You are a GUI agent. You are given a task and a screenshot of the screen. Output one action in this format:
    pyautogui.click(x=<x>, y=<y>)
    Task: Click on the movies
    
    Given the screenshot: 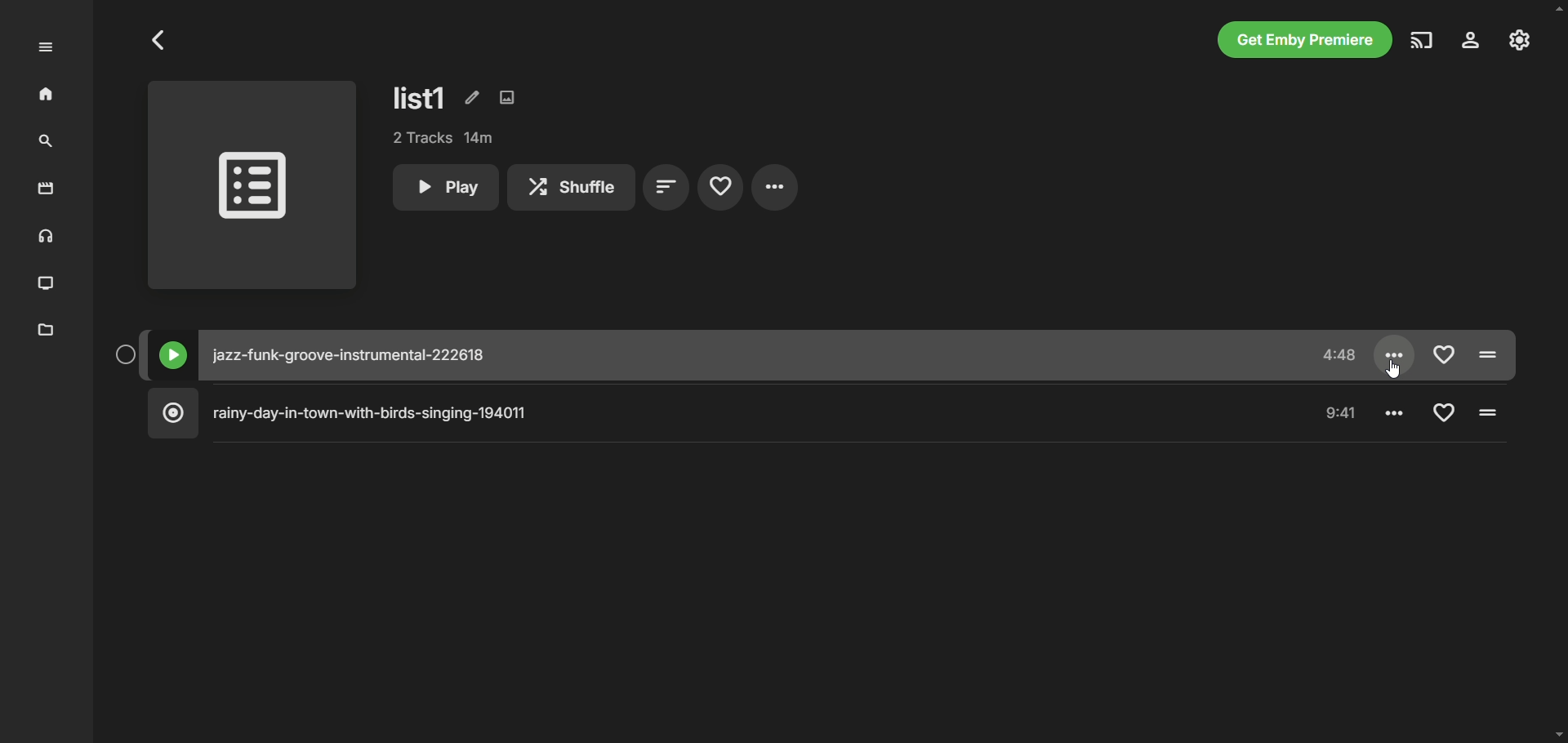 What is the action you would take?
    pyautogui.click(x=47, y=189)
    